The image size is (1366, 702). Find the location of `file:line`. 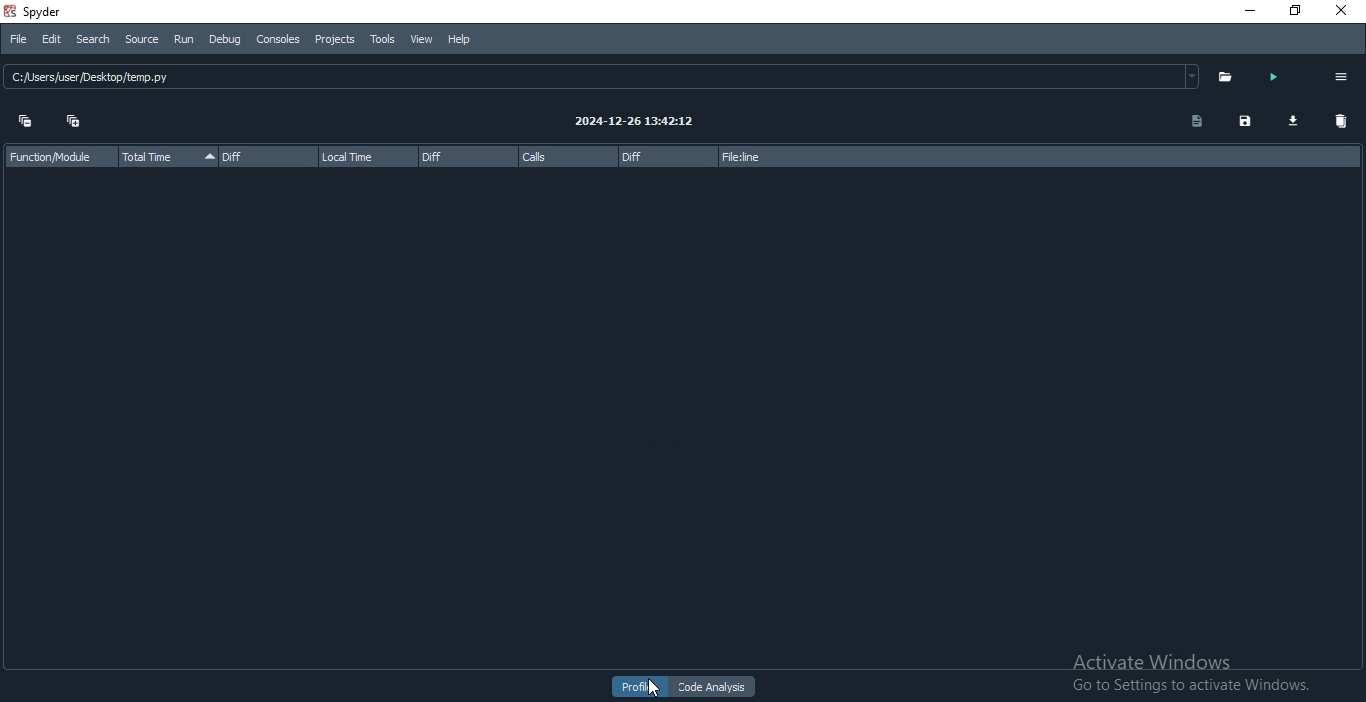

file:line is located at coordinates (797, 157).